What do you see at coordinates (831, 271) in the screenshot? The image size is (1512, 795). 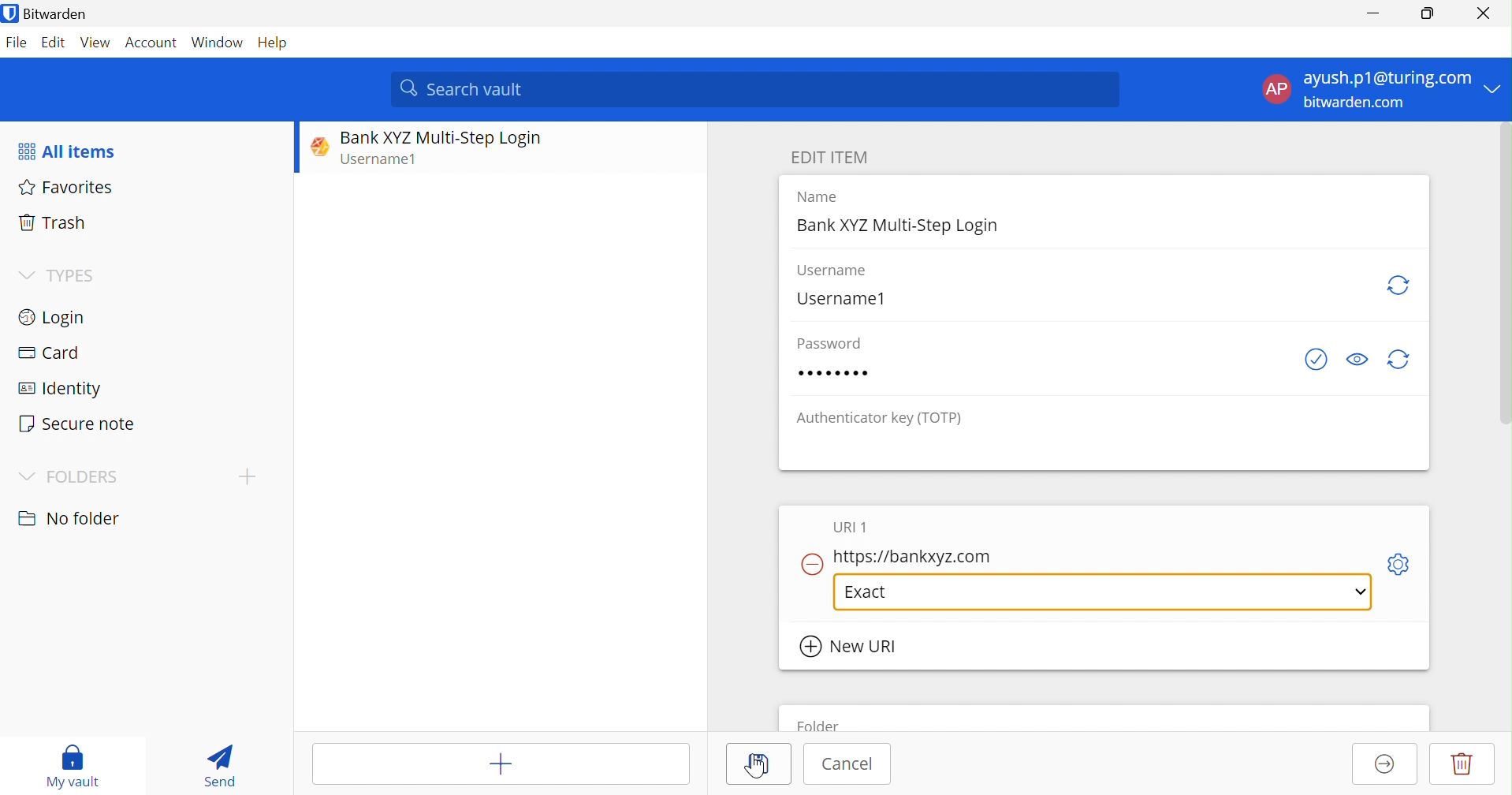 I see `Username` at bounding box center [831, 271].